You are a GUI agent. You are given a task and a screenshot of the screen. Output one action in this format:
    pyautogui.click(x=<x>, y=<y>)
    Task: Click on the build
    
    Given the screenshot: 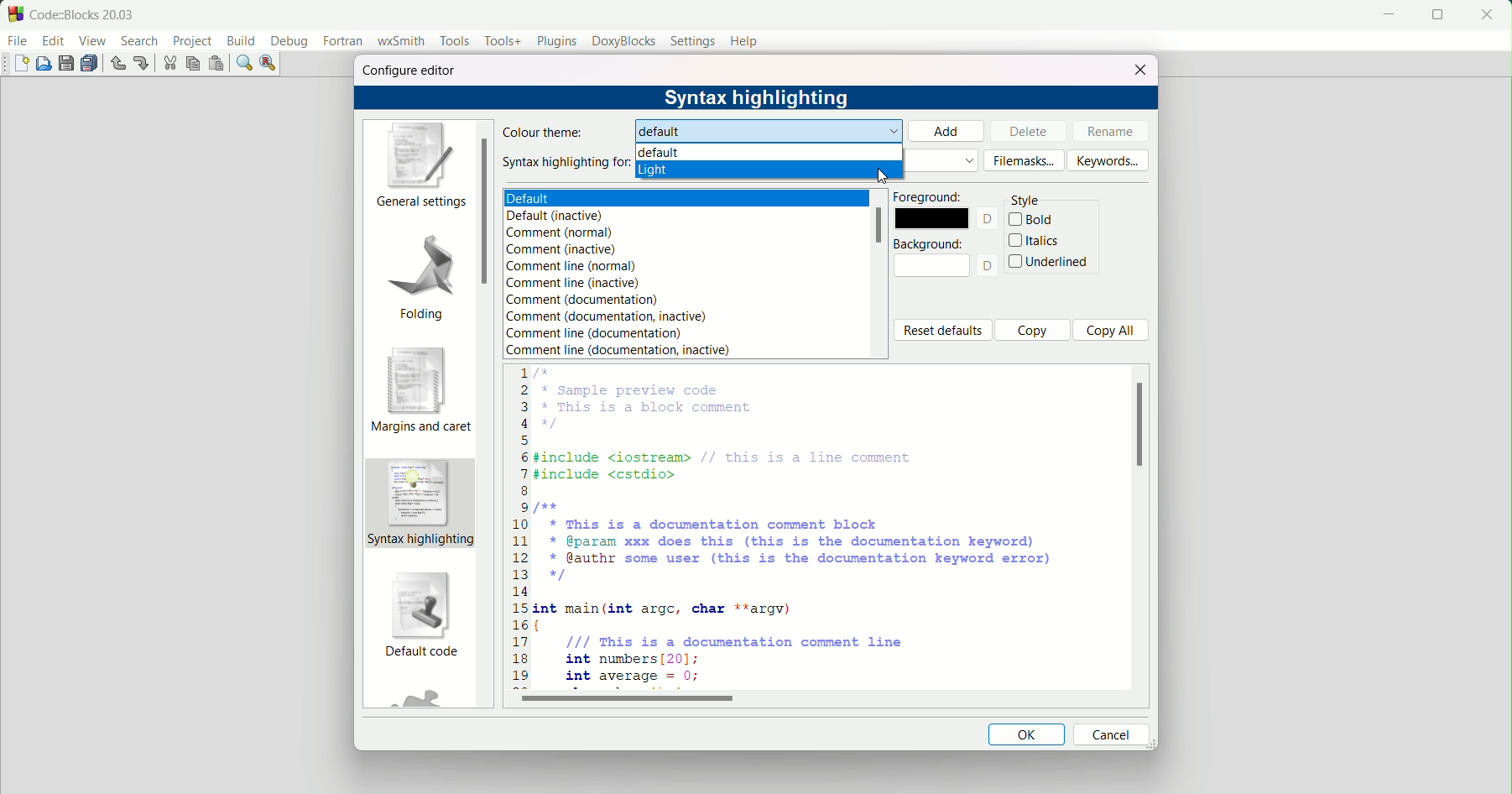 What is the action you would take?
    pyautogui.click(x=242, y=40)
    